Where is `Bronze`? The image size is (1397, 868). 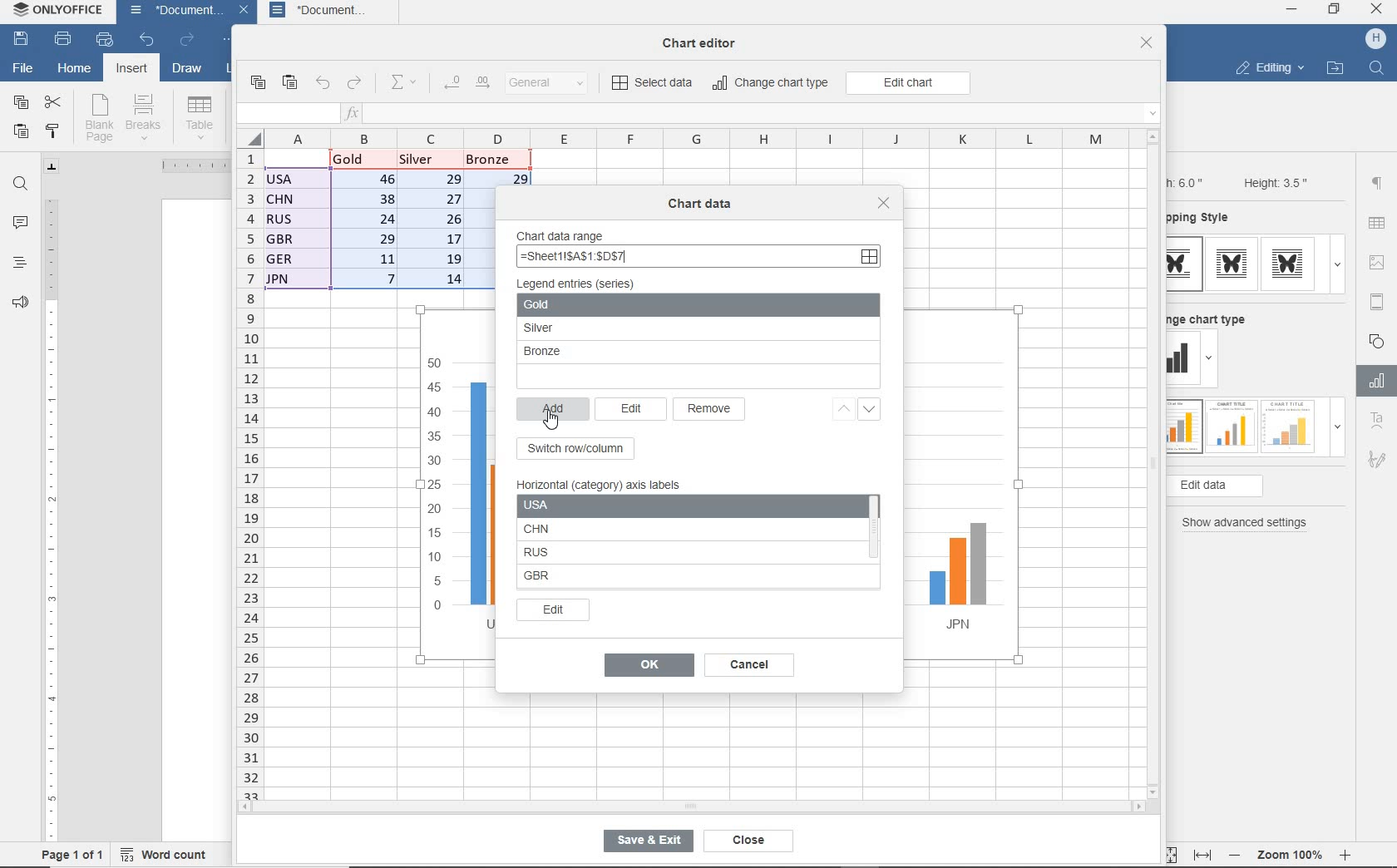 Bronze is located at coordinates (613, 353).